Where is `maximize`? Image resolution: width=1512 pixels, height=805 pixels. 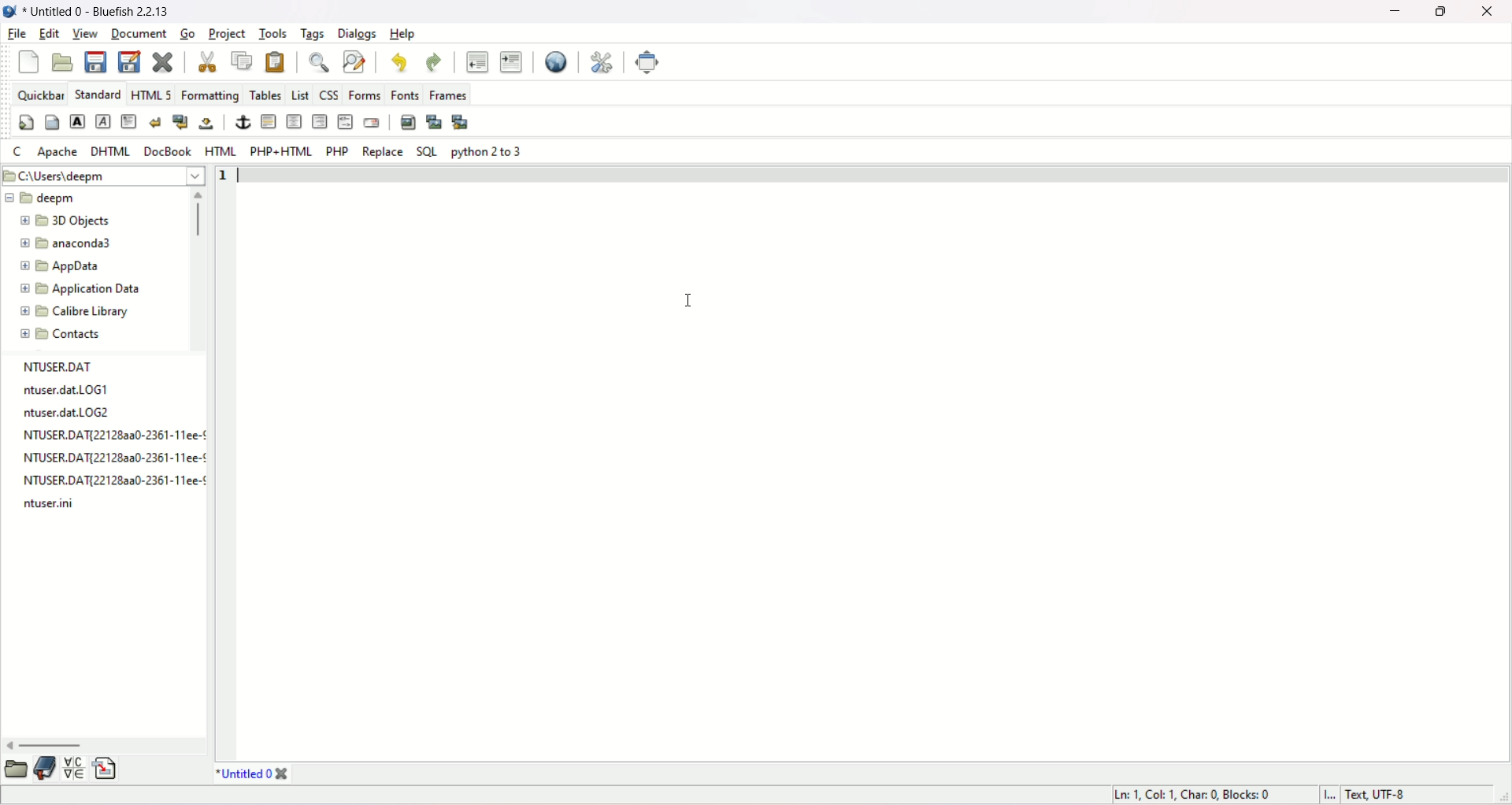 maximize is located at coordinates (1443, 12).